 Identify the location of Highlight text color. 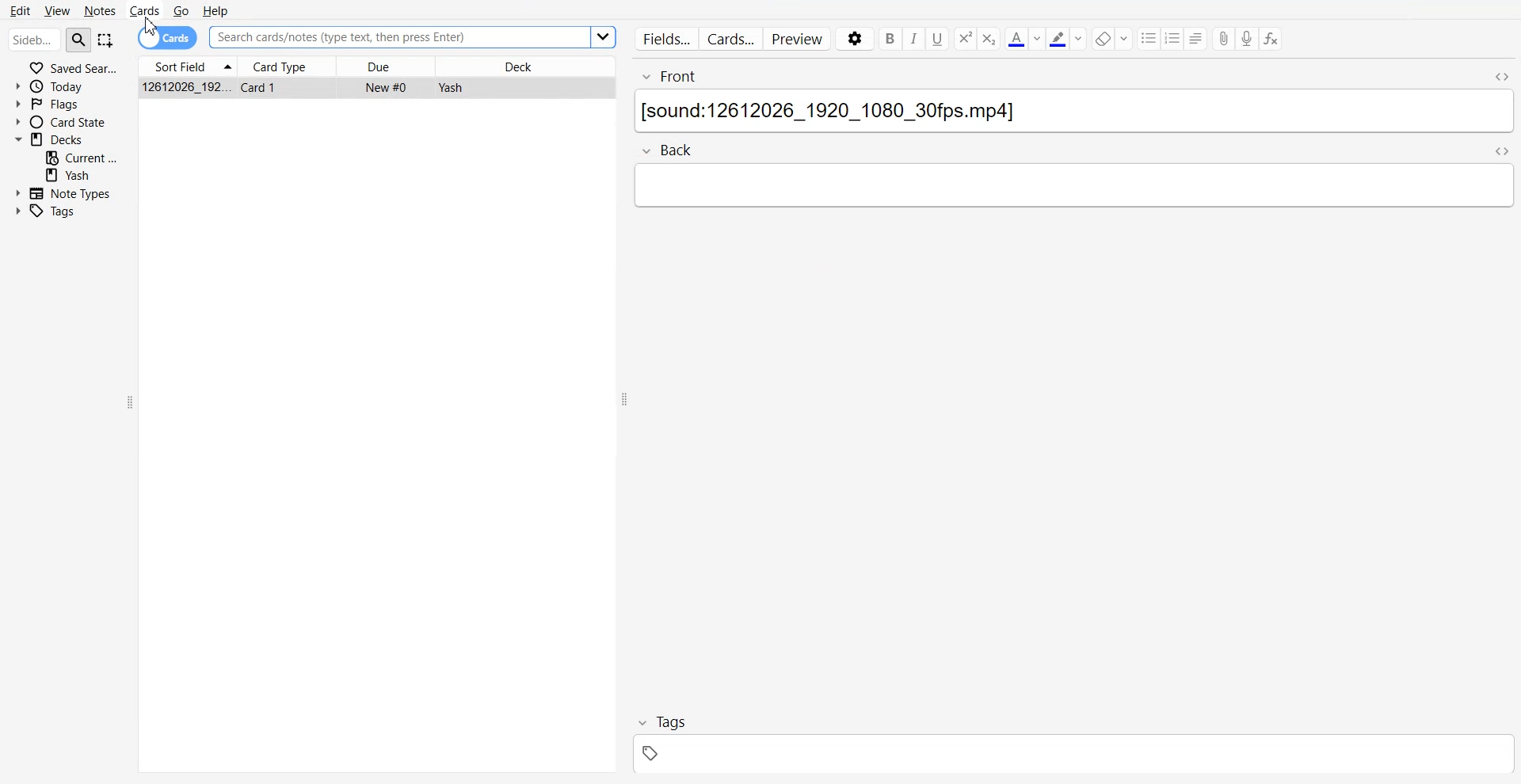
(1067, 38).